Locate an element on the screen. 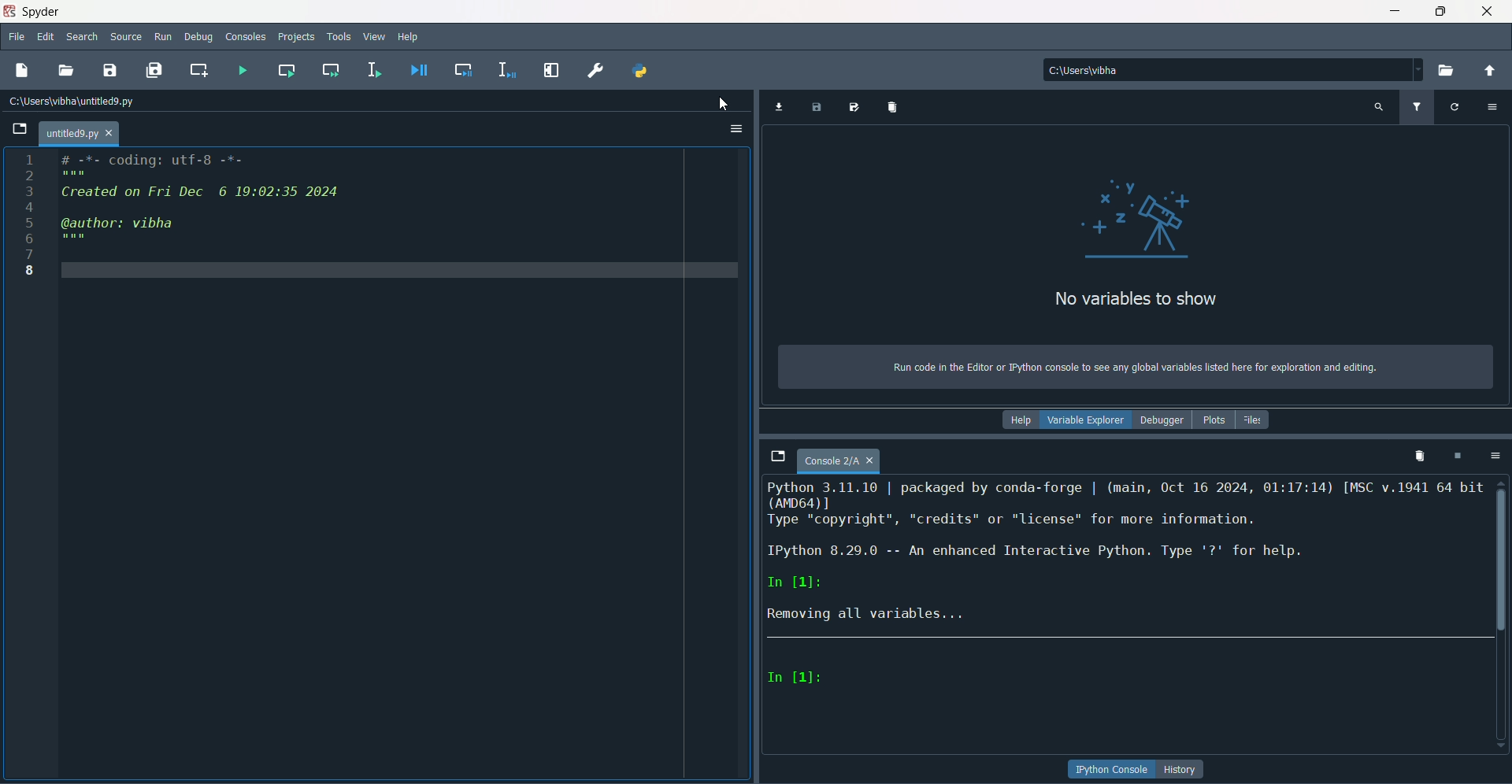 Image resolution: width=1512 pixels, height=784 pixels. Open file is located at coordinates (20, 129).